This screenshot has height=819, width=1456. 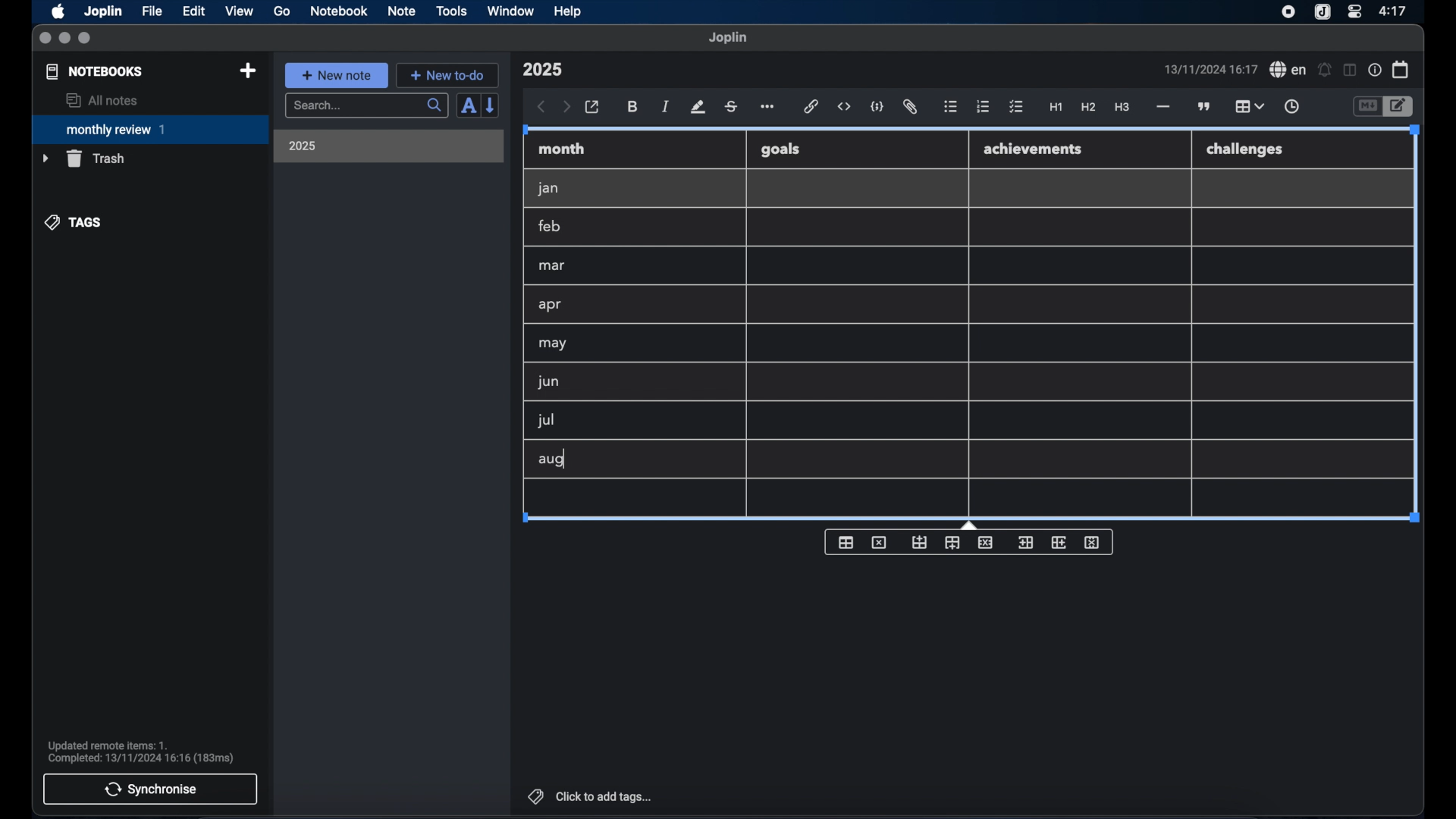 What do you see at coordinates (1246, 150) in the screenshot?
I see `challenges` at bounding box center [1246, 150].